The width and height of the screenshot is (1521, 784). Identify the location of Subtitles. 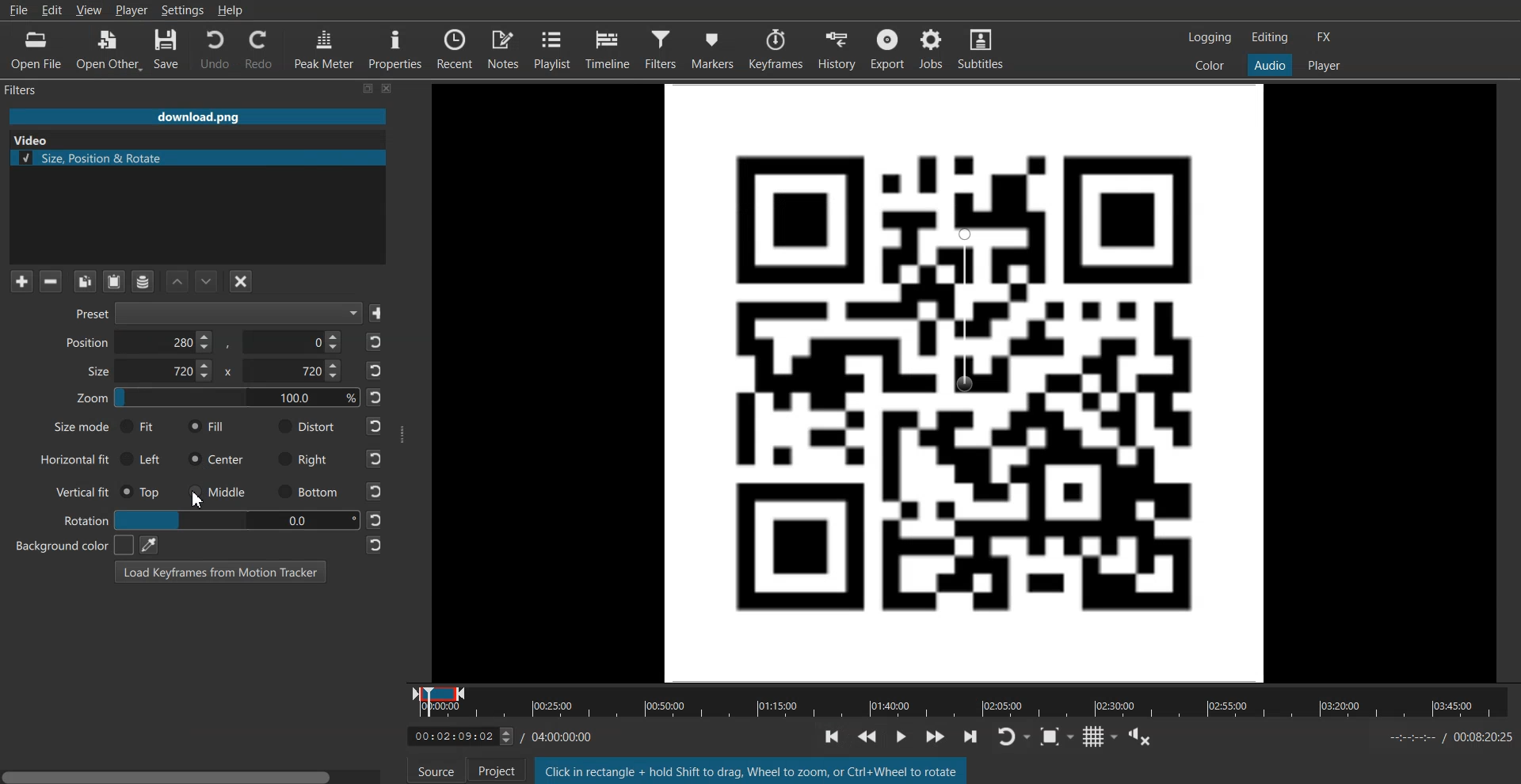
(982, 47).